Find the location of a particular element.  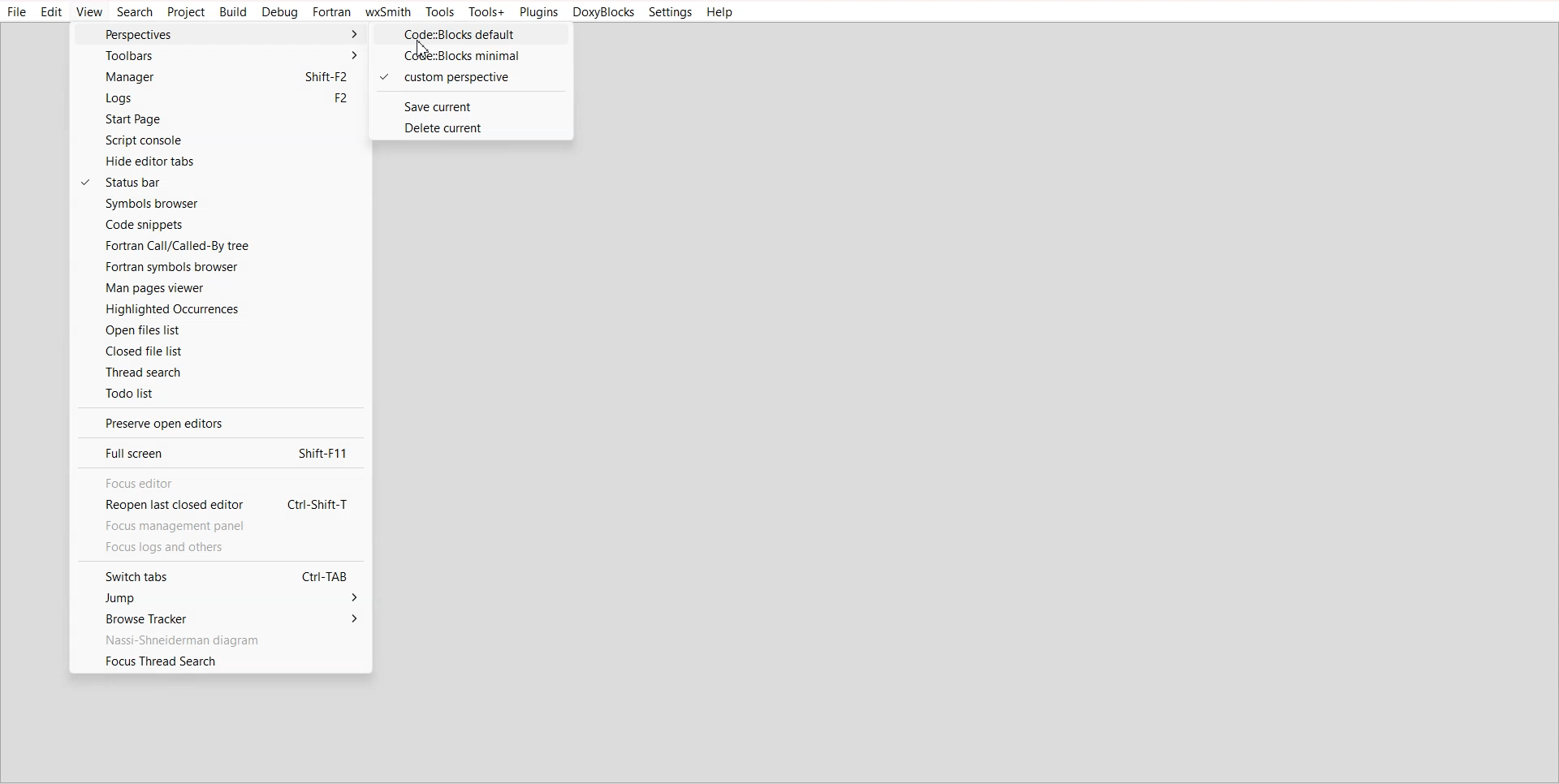

Project is located at coordinates (187, 13).